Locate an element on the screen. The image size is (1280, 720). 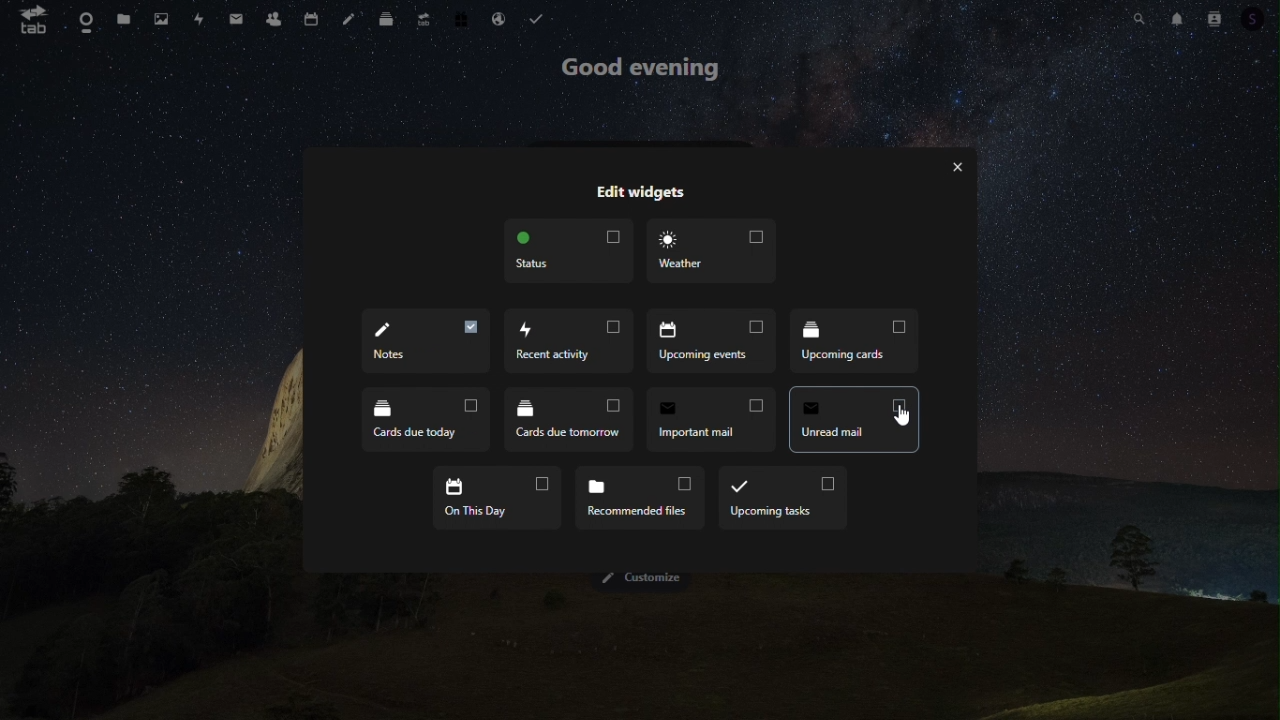
Activity is located at coordinates (199, 18).